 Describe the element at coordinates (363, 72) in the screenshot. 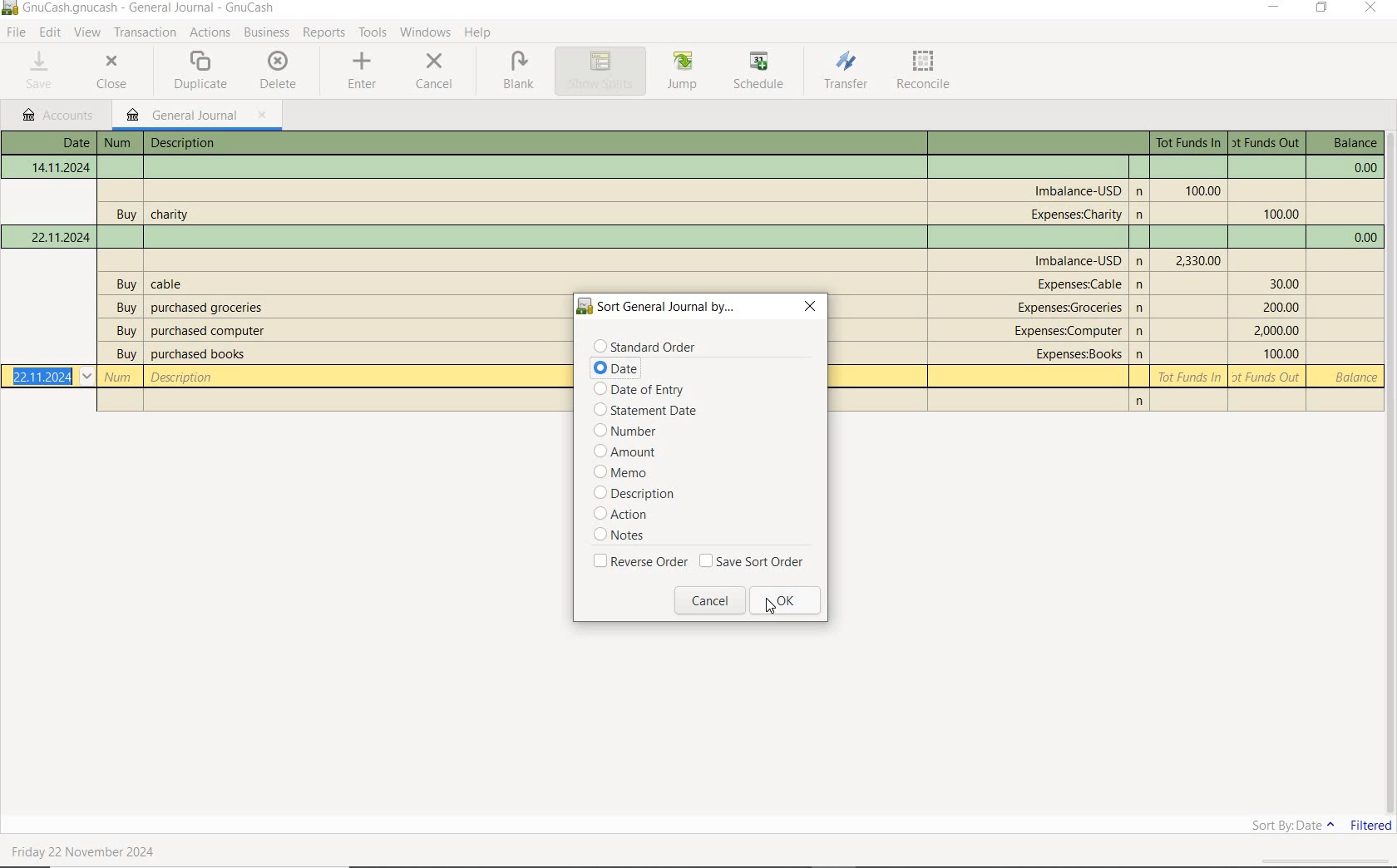

I see `ENTER` at that location.